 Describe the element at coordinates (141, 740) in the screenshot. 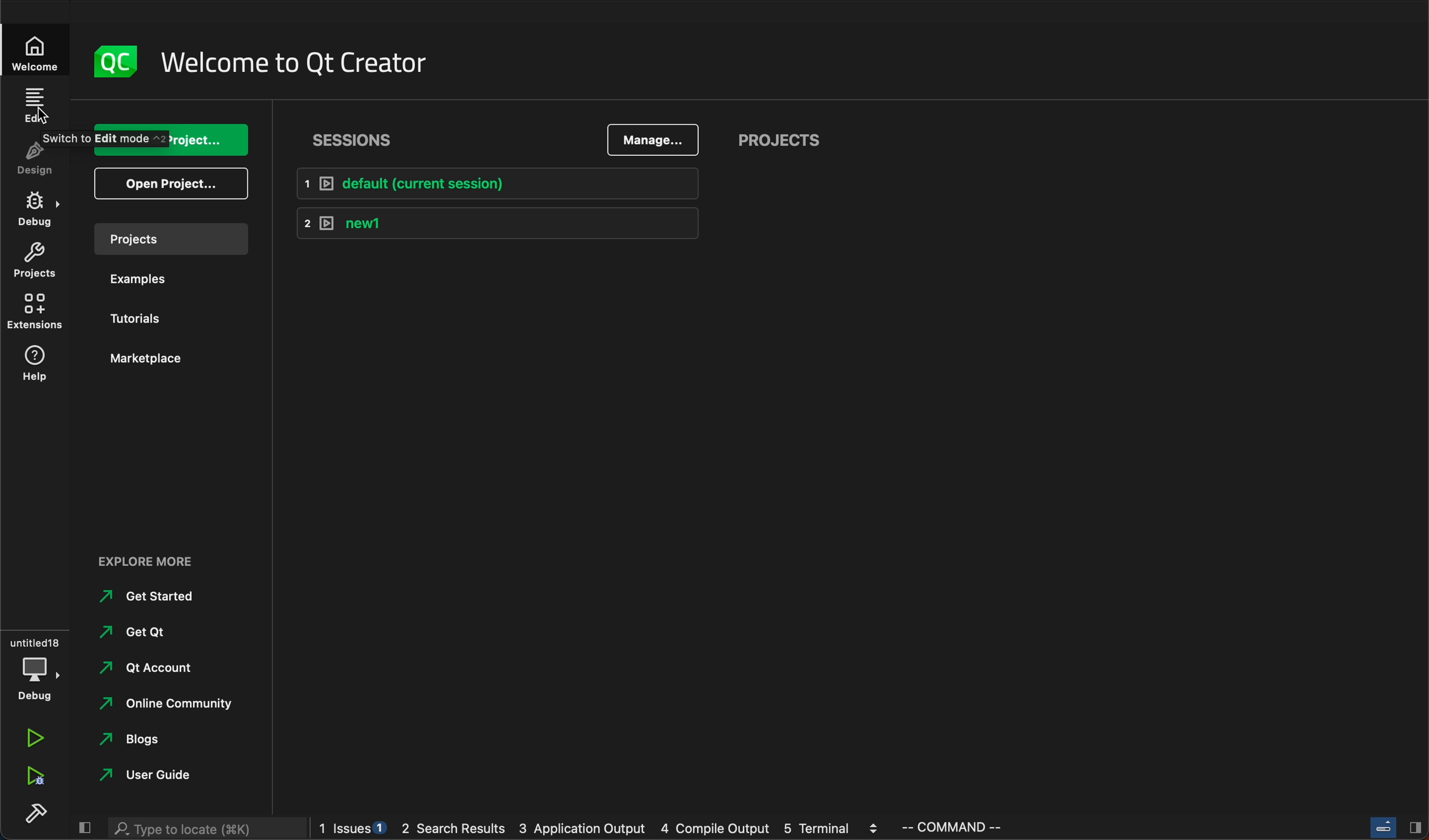

I see `blogs` at that location.